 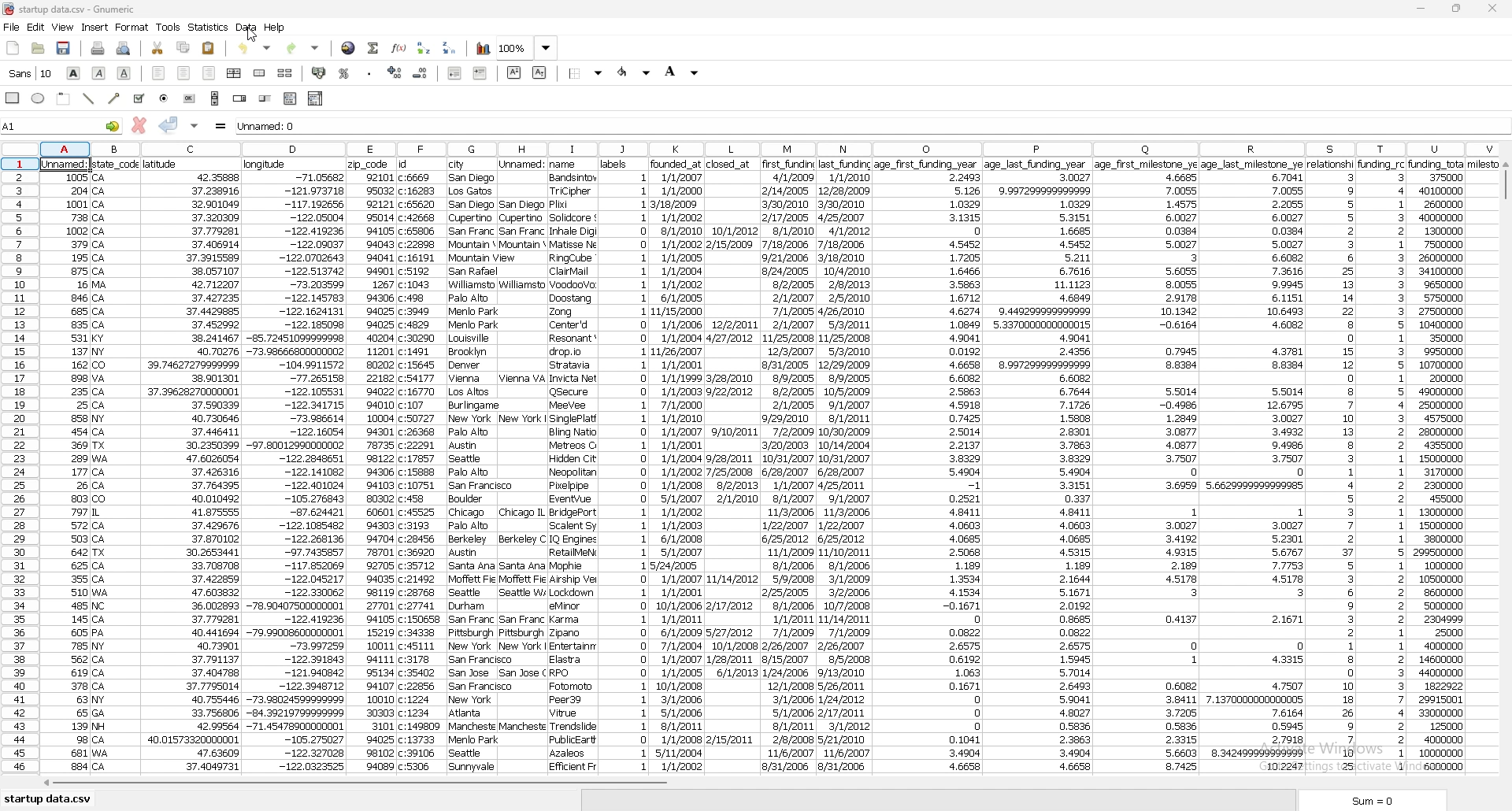 I want to click on cursor, so click(x=250, y=36).